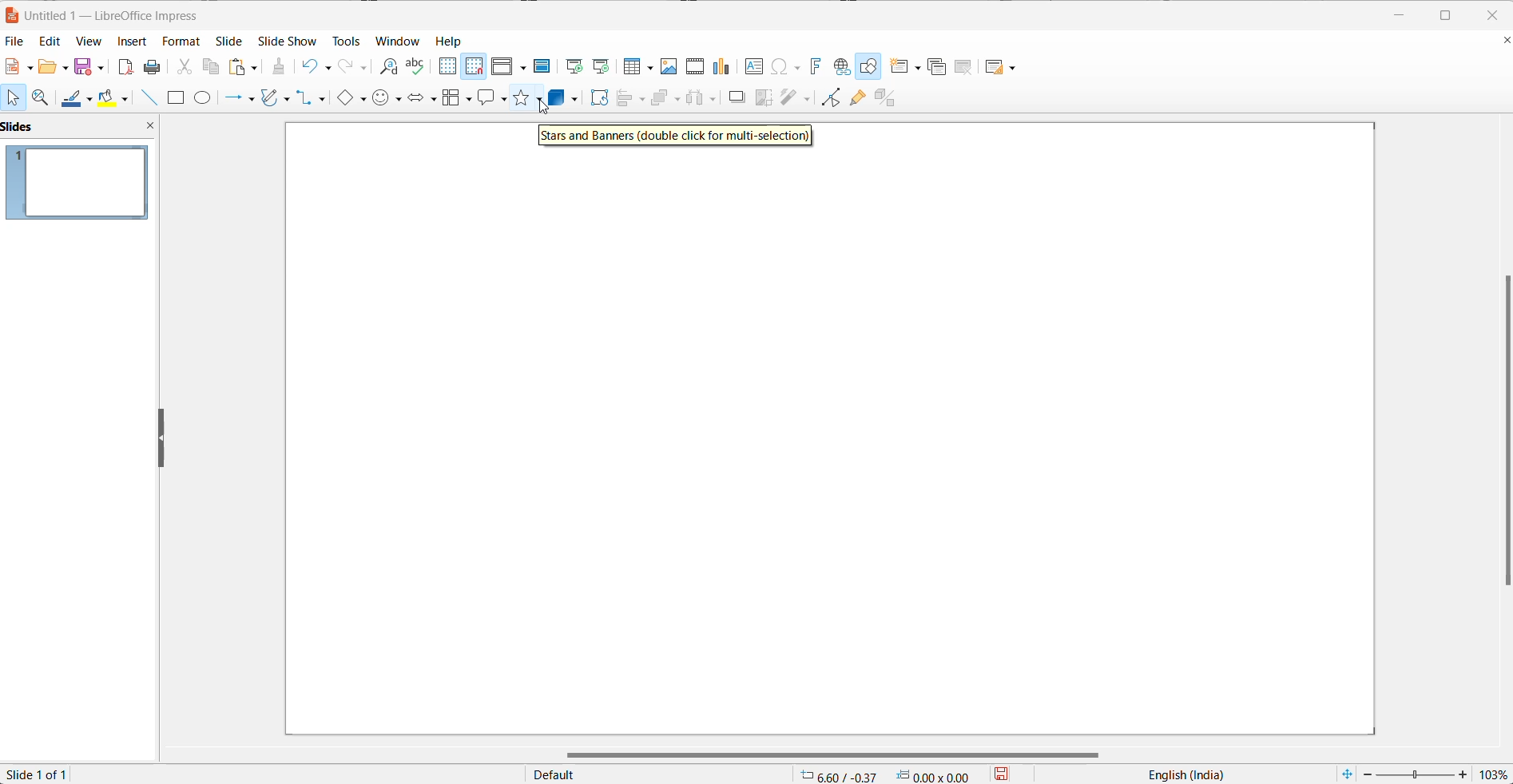 This screenshot has height=784, width=1513. Describe the element at coordinates (153, 97) in the screenshot. I see `line` at that location.